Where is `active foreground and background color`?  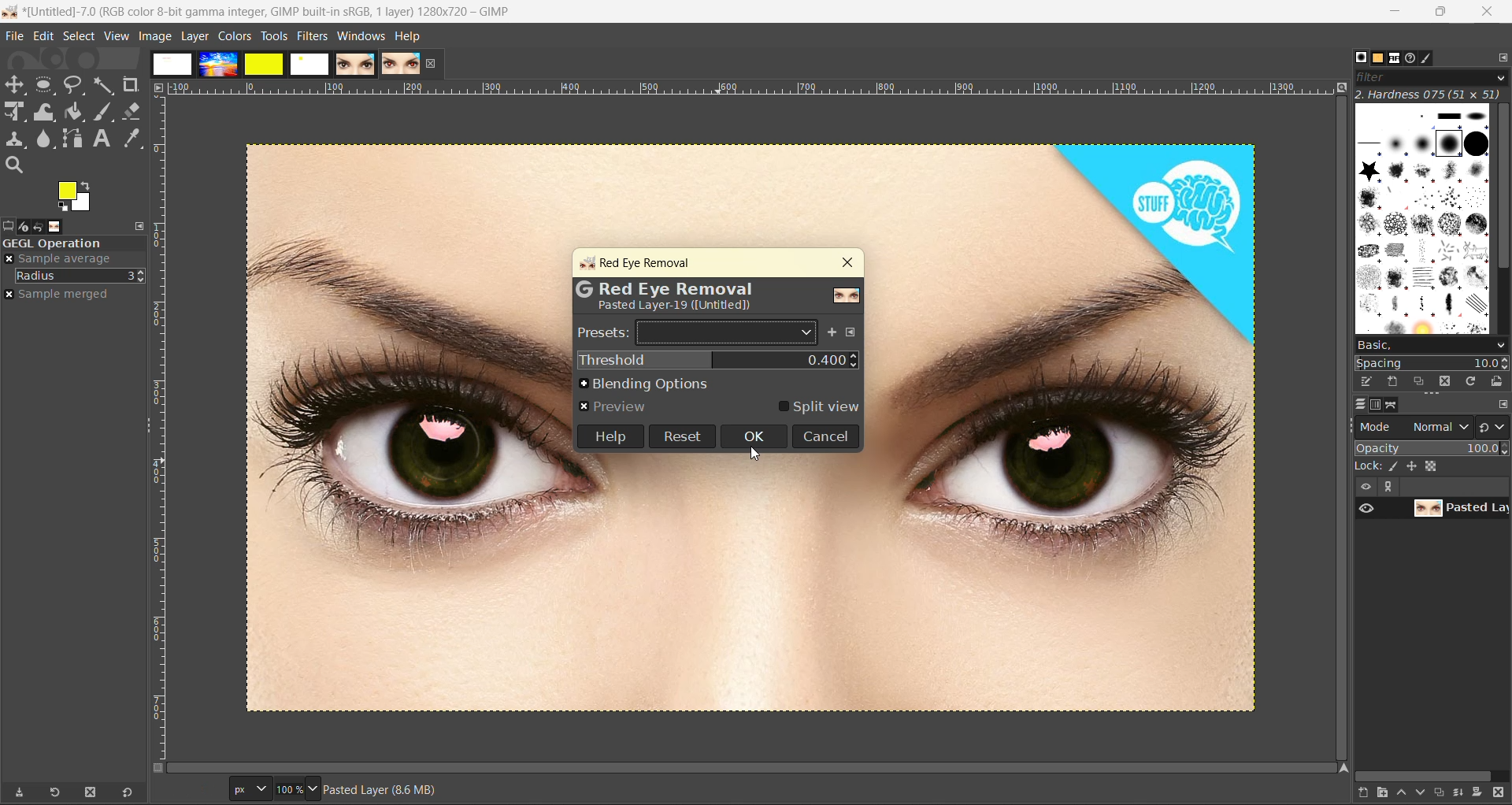 active foreground and background color is located at coordinates (76, 196).